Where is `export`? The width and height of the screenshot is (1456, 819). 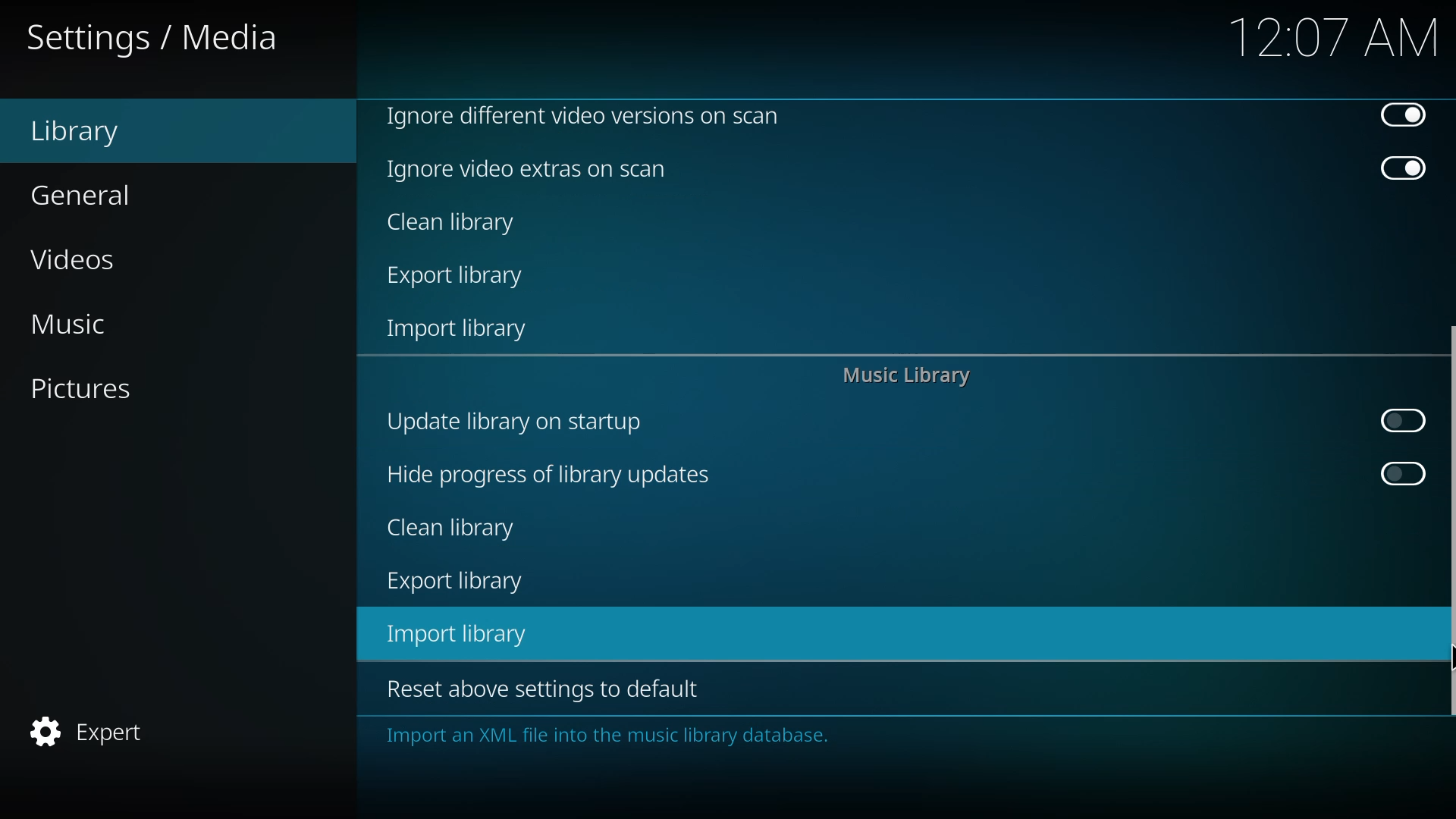 export is located at coordinates (455, 582).